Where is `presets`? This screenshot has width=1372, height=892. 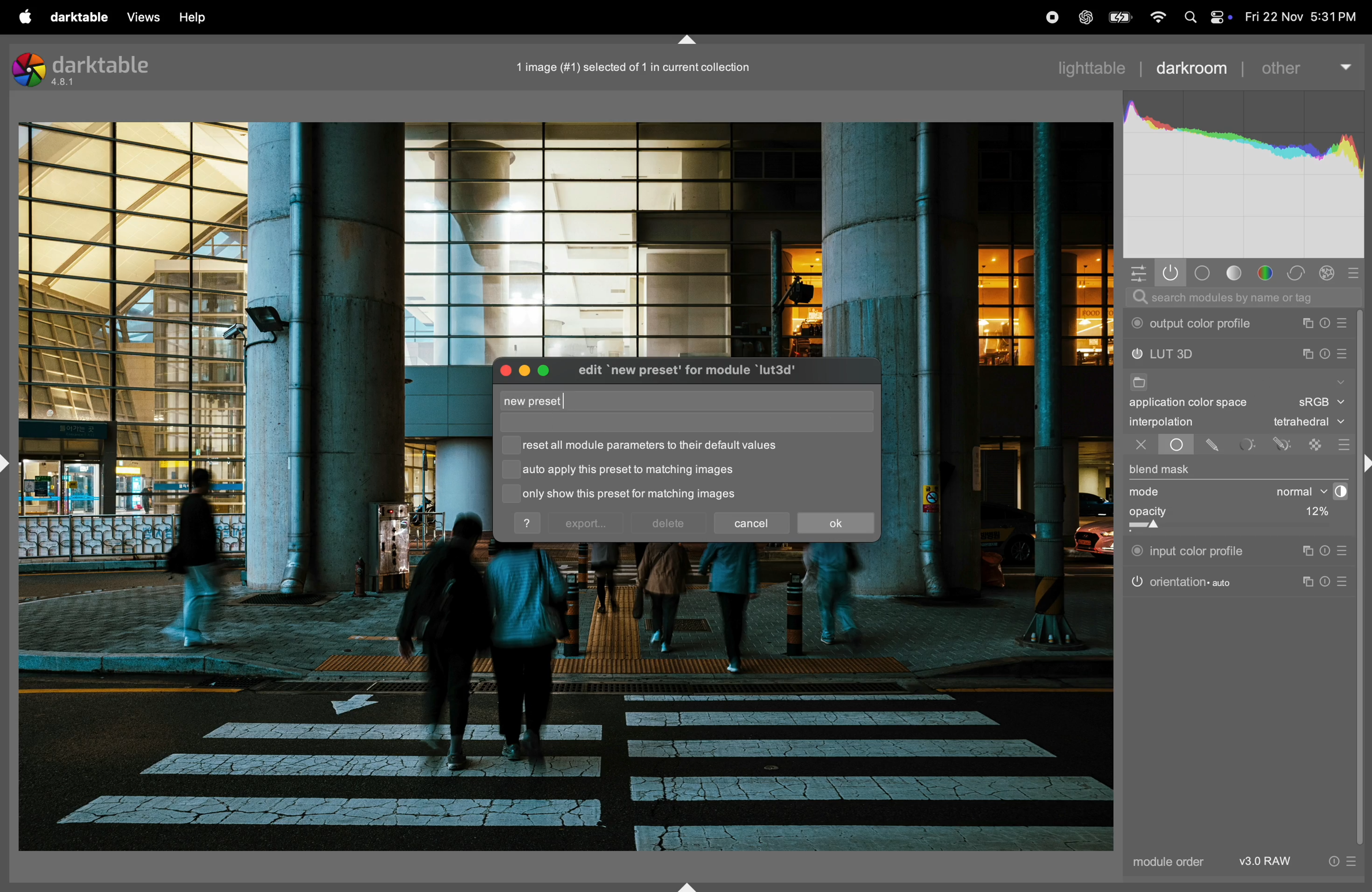 presets is located at coordinates (1359, 271).